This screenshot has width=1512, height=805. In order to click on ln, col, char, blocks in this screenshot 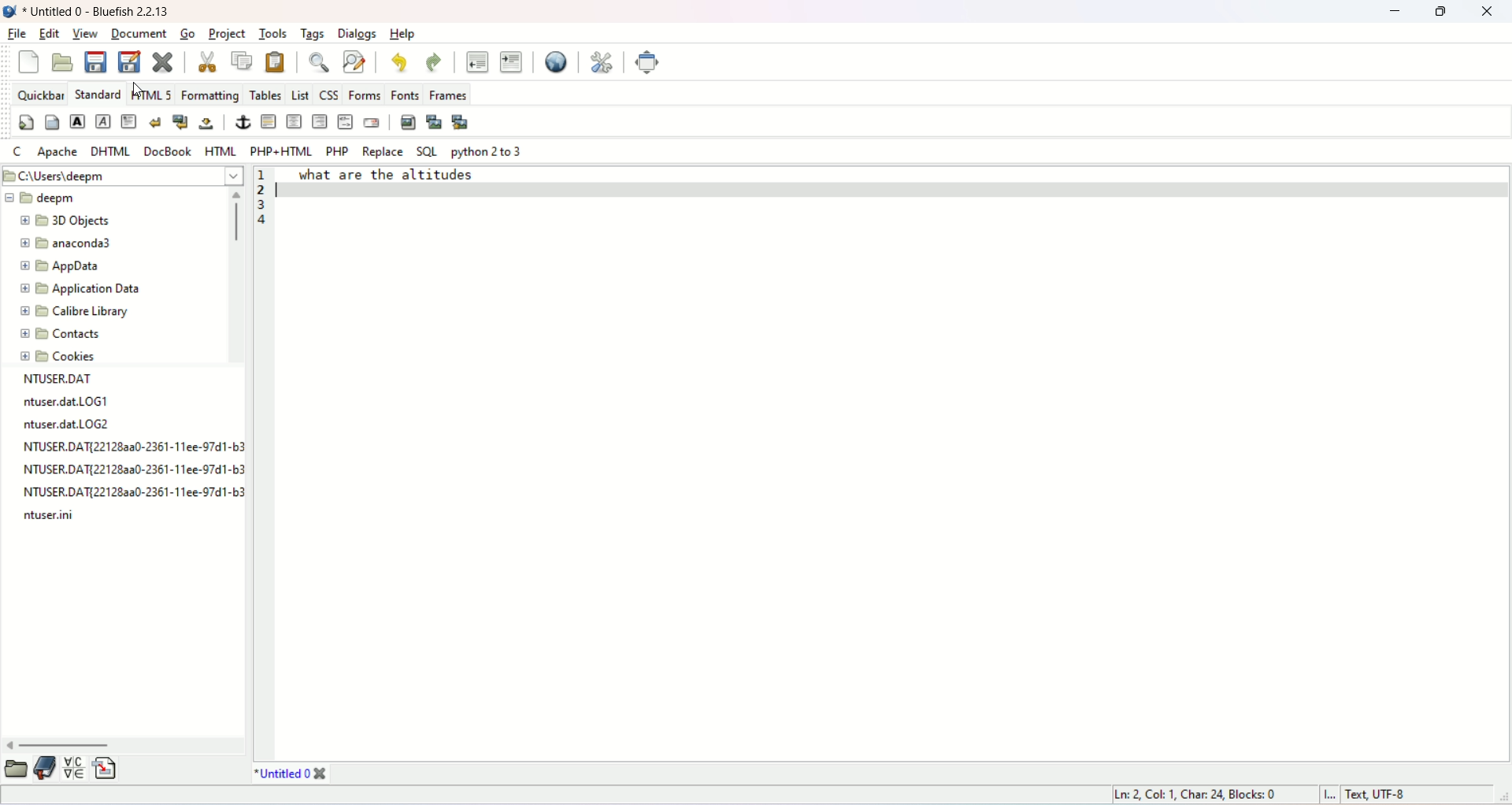, I will do `click(1199, 794)`.